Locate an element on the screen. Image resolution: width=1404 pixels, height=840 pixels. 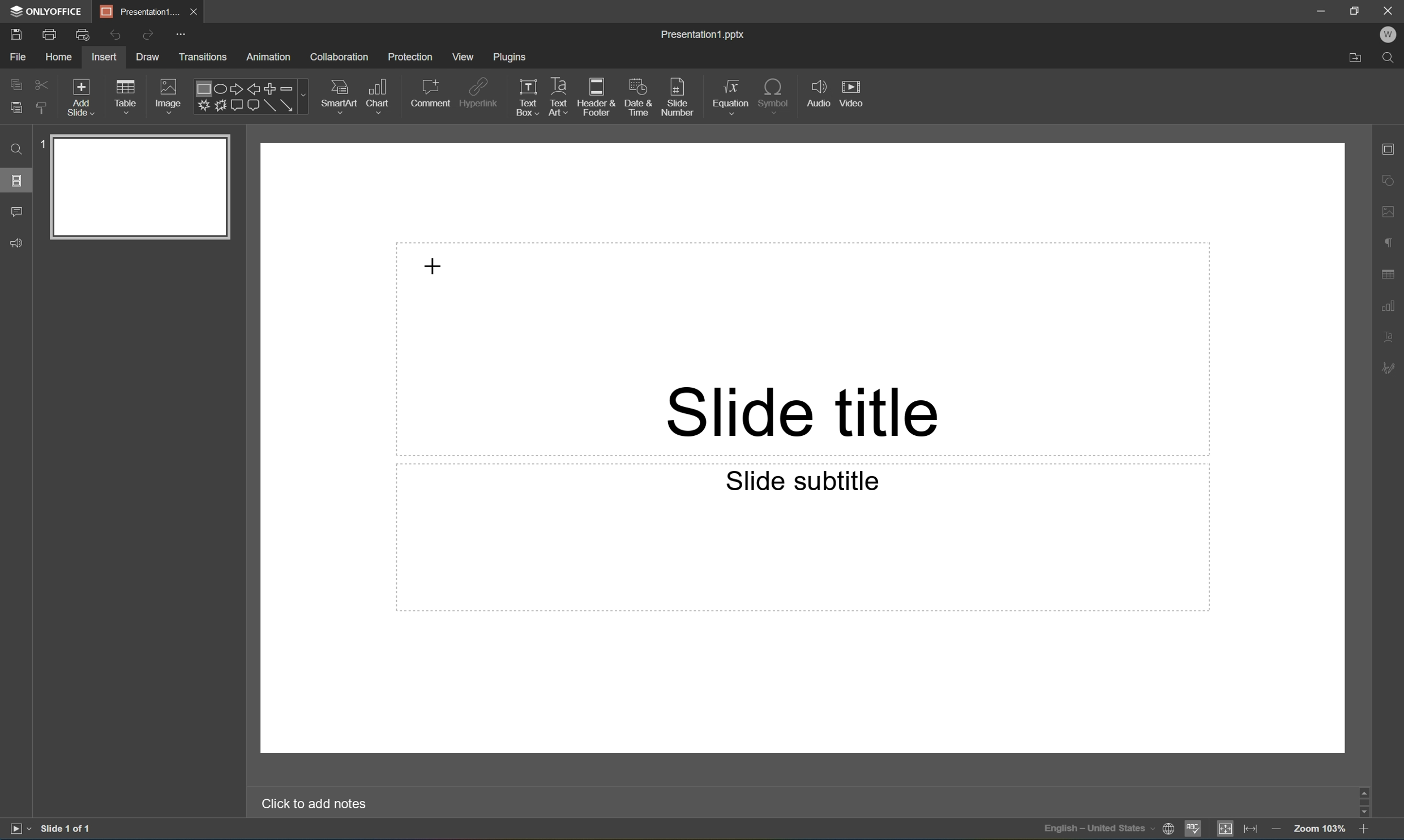
Close is located at coordinates (1392, 10).